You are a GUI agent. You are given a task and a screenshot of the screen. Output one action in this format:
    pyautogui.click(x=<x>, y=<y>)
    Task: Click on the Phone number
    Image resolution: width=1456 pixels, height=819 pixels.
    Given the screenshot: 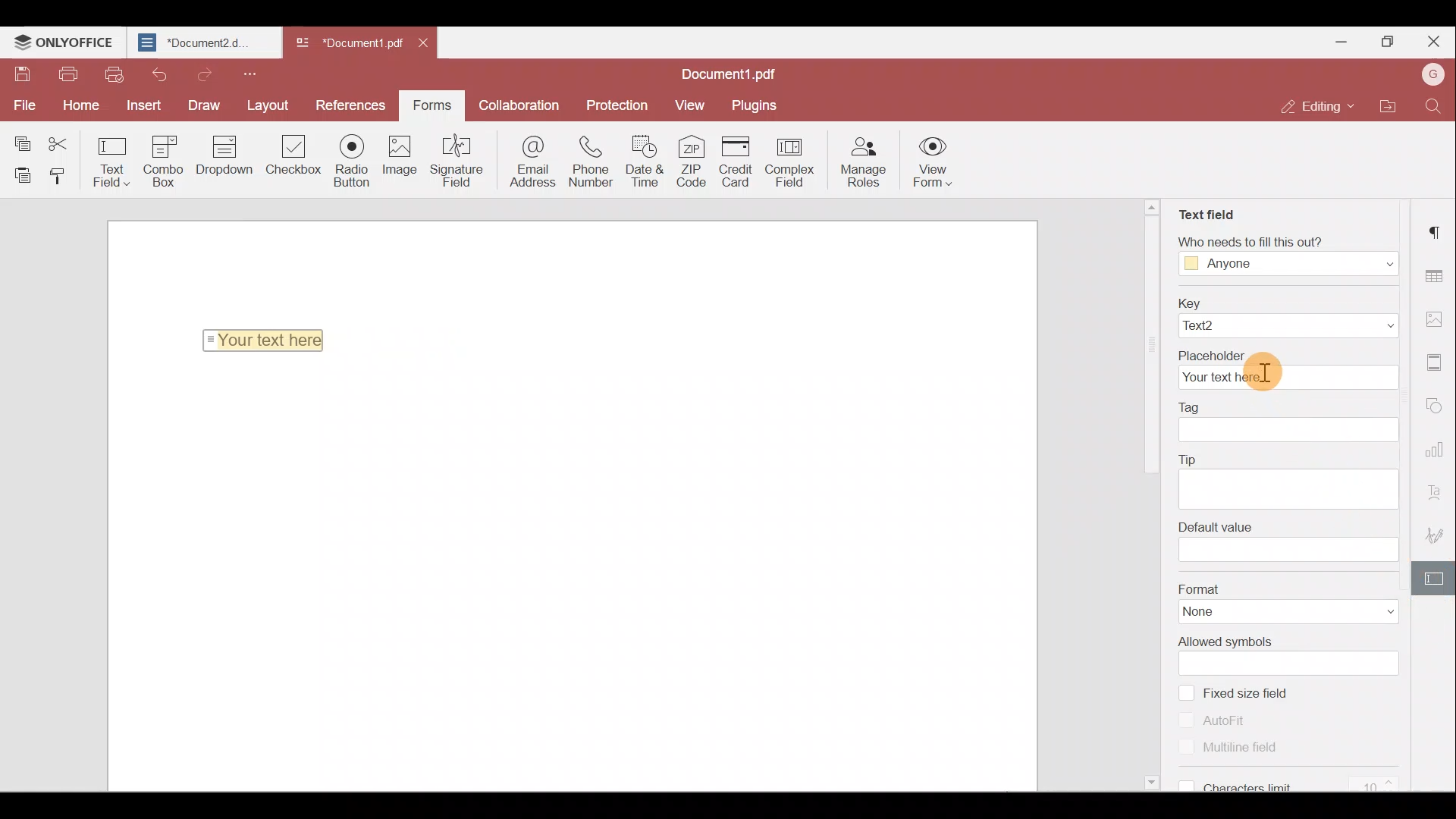 What is the action you would take?
    pyautogui.click(x=591, y=163)
    